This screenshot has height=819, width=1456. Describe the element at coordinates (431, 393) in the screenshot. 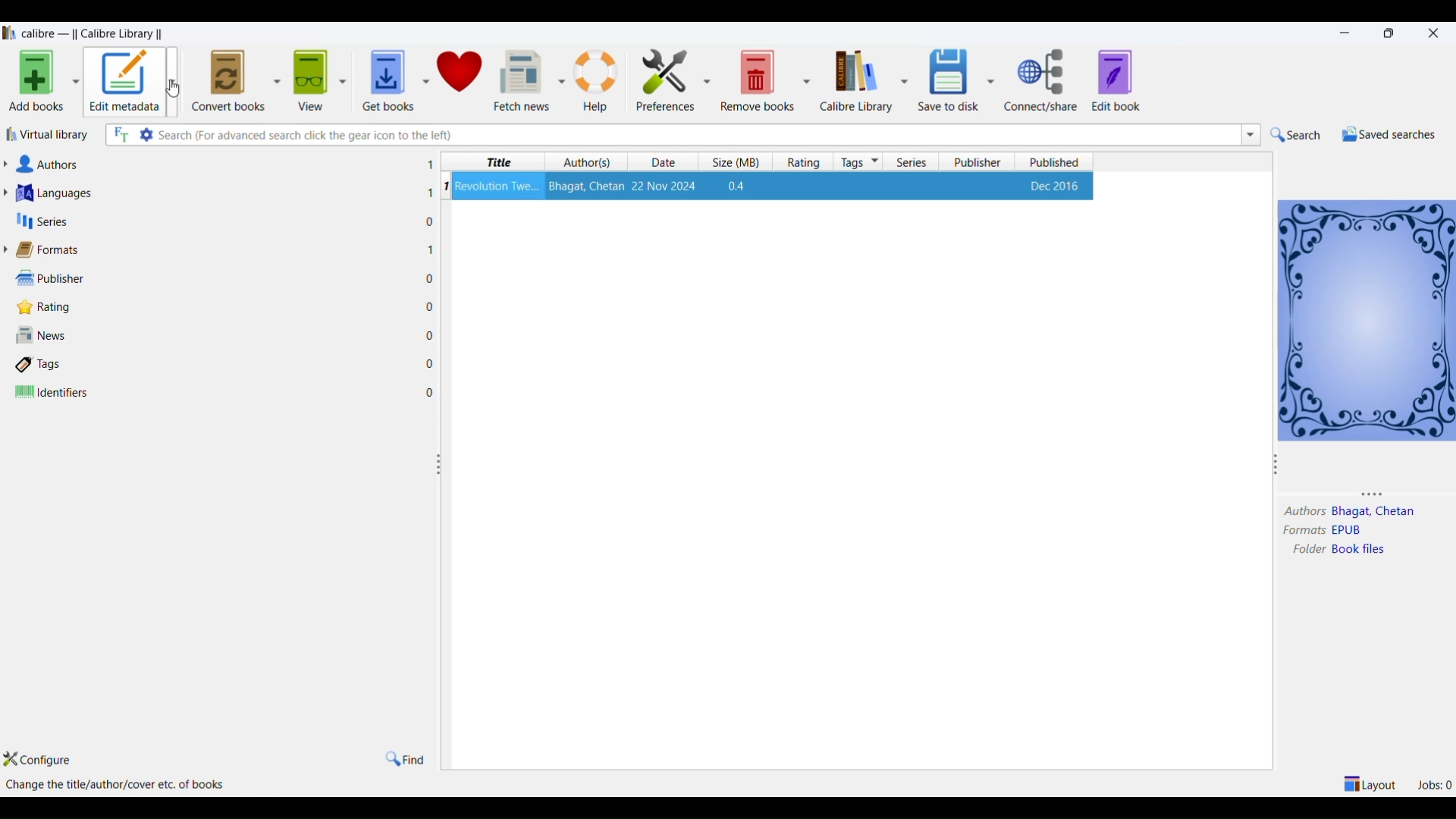

I see `0` at that location.